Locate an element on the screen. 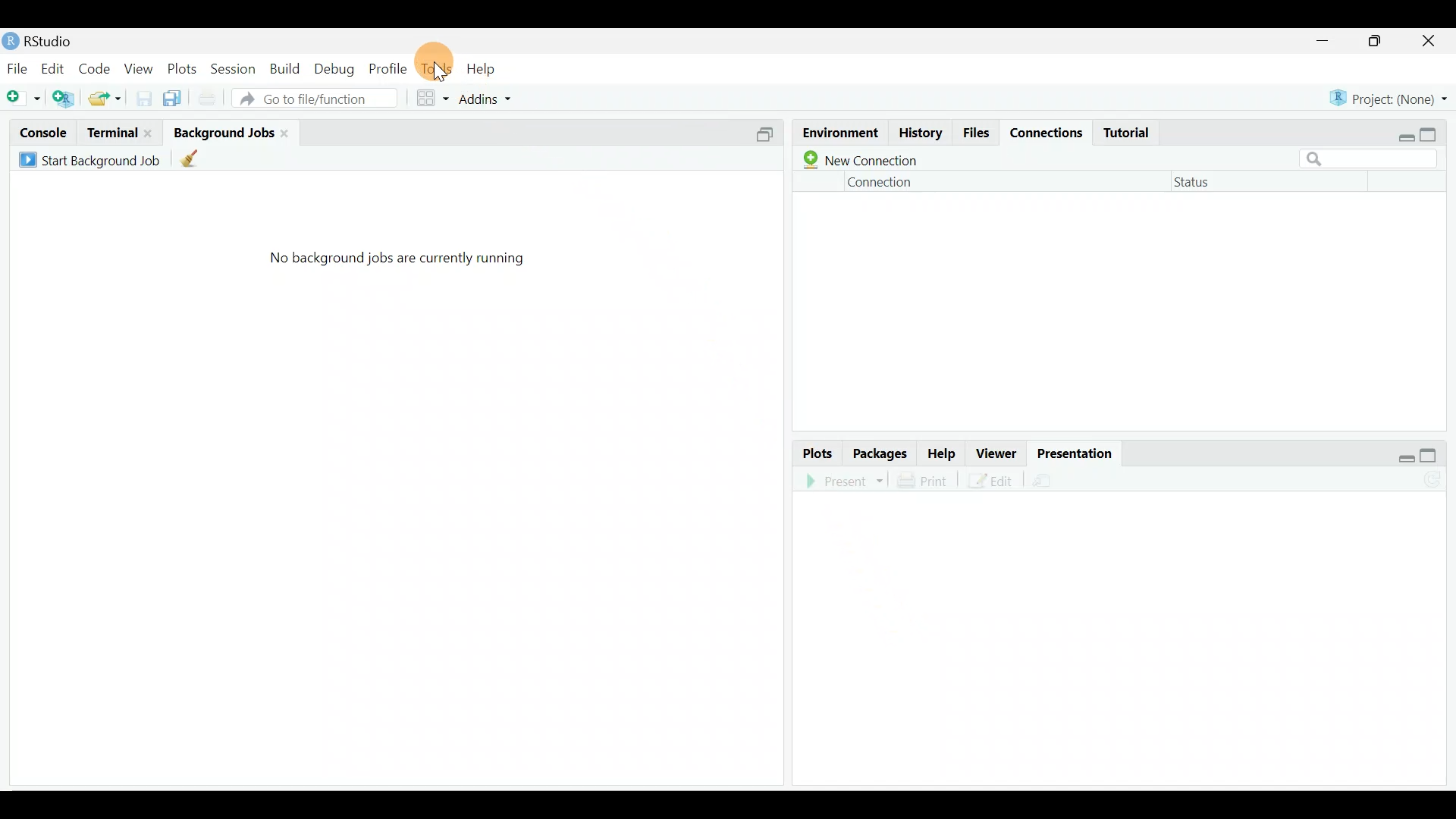  RStudio is located at coordinates (46, 41).